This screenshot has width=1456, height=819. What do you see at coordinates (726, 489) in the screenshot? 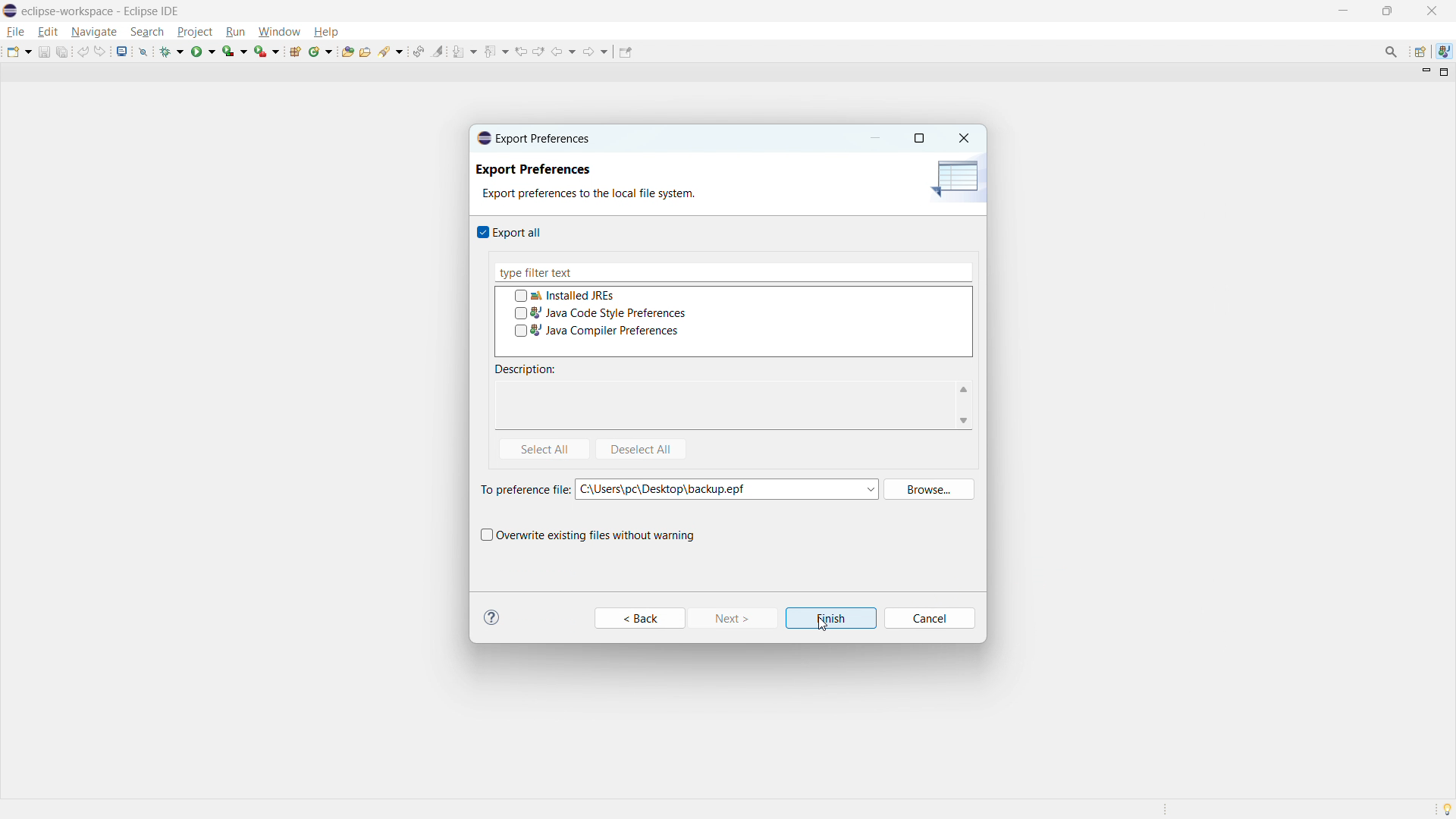
I see `C:\Users\pc\Desktop\backup.epf` at bounding box center [726, 489].